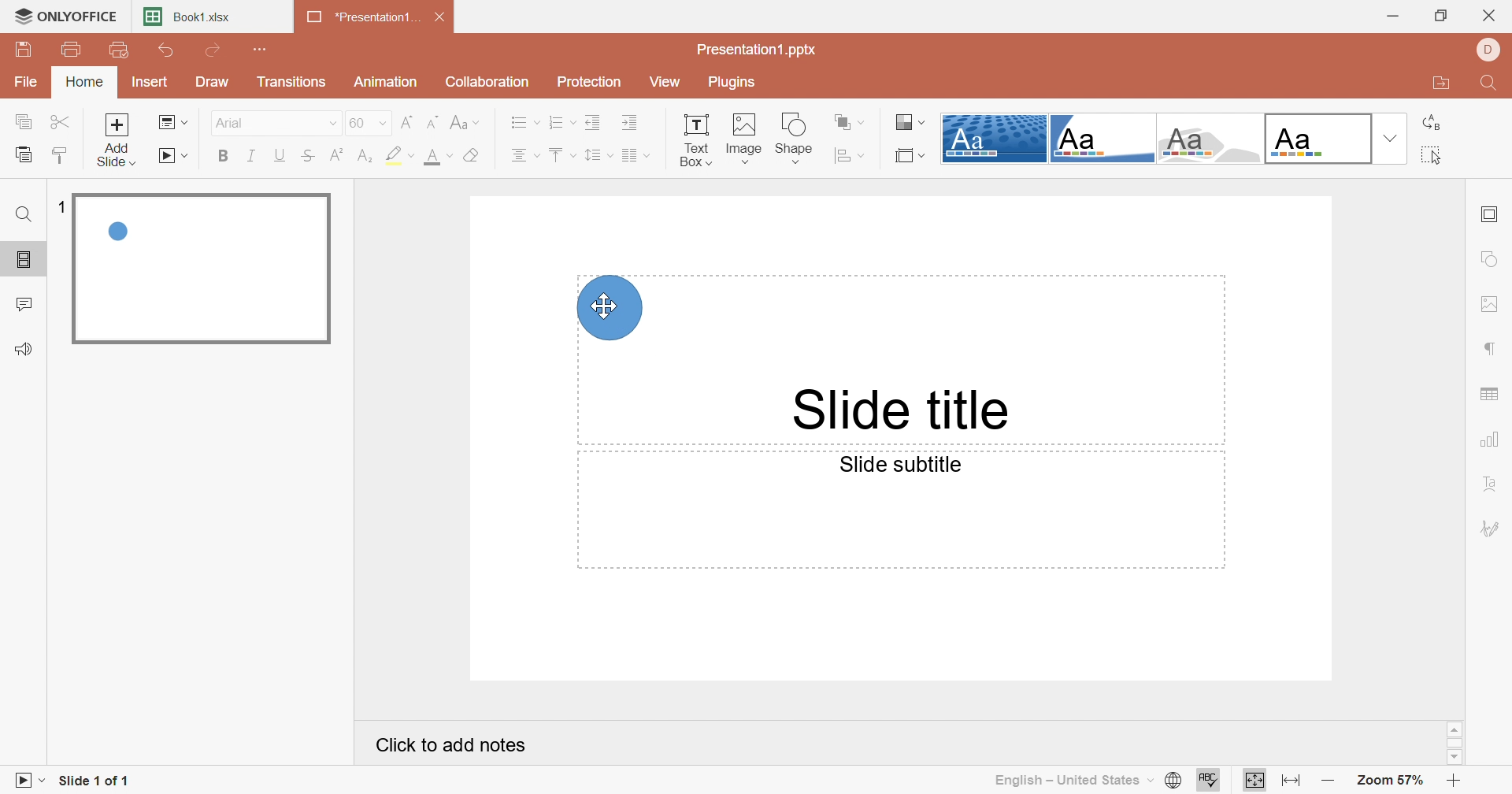 Image resolution: width=1512 pixels, height=794 pixels. I want to click on Comments, so click(24, 306).